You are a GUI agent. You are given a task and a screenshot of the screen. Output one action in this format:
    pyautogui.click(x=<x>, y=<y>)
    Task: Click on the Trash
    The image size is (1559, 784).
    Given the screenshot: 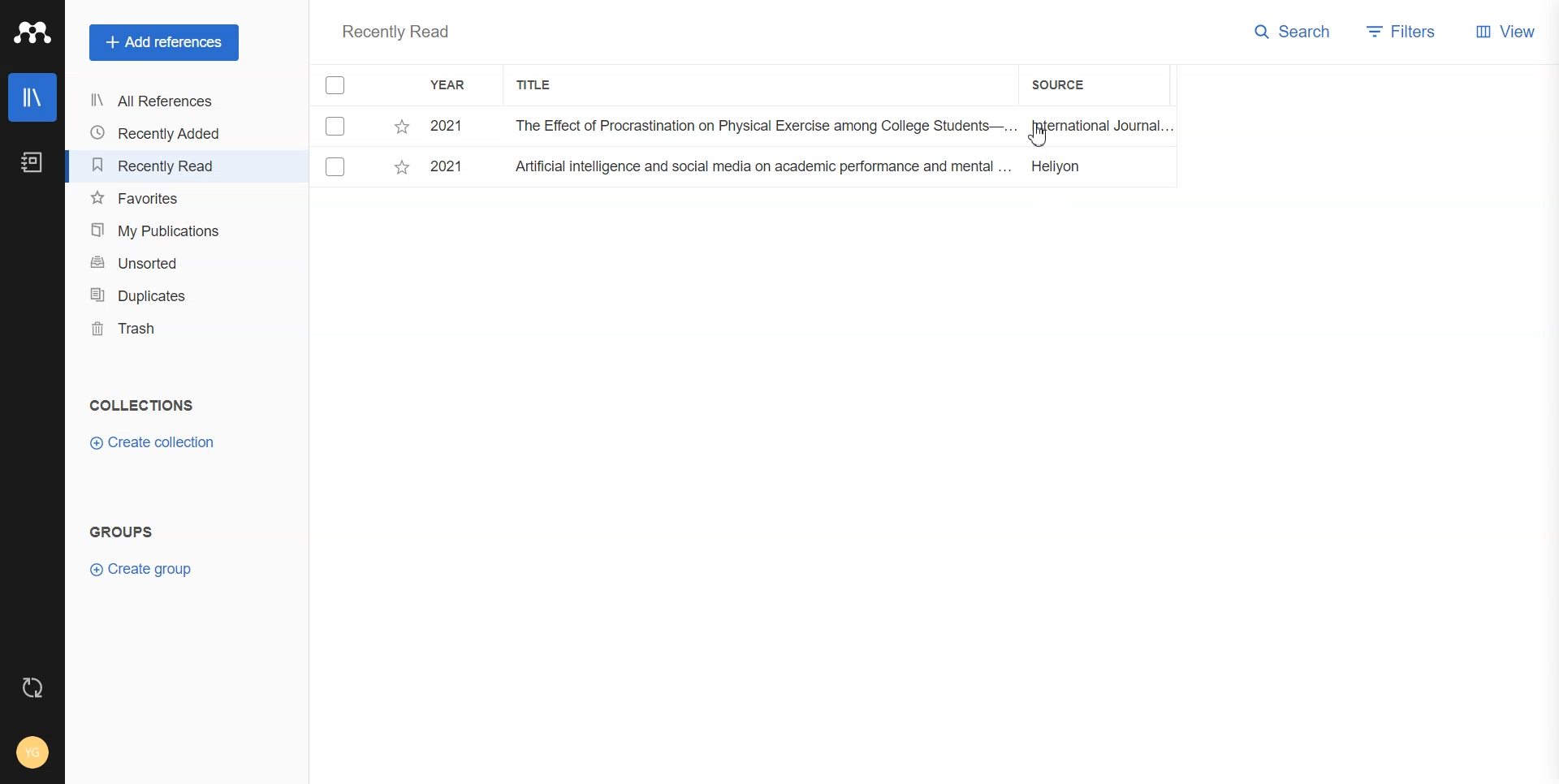 What is the action you would take?
    pyautogui.click(x=159, y=329)
    